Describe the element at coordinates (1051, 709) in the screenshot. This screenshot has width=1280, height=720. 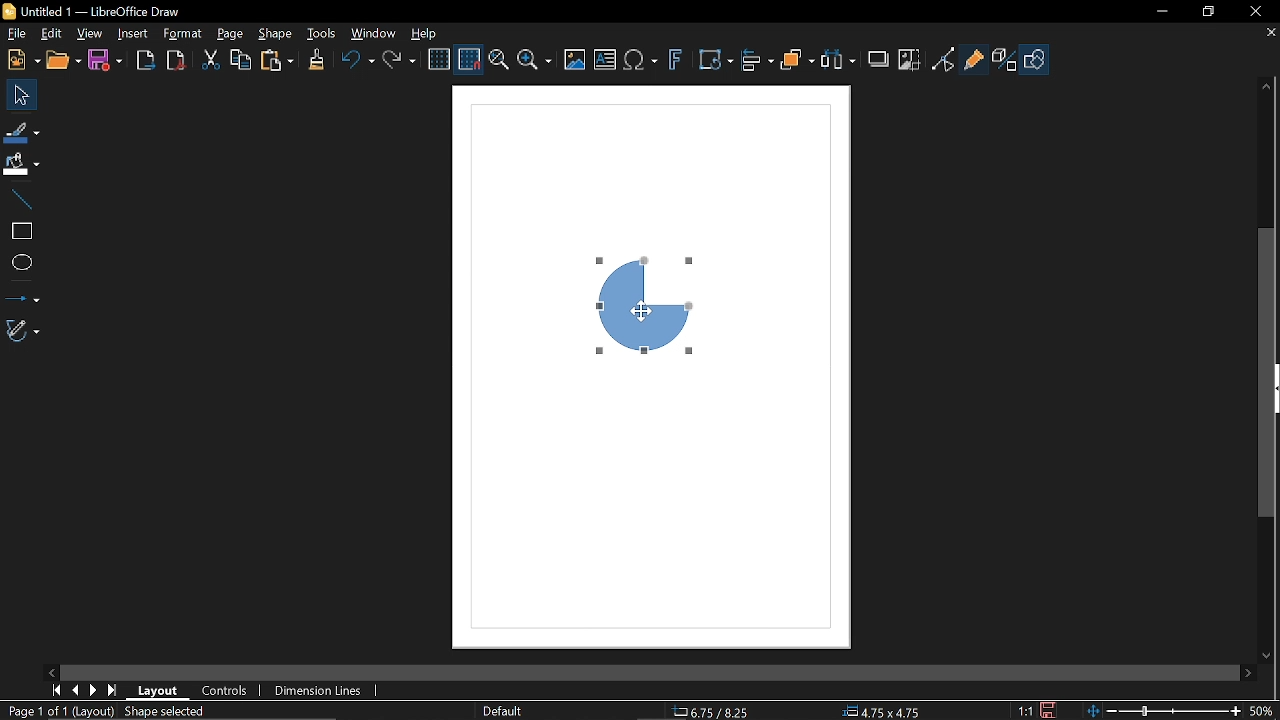
I see `Save` at that location.